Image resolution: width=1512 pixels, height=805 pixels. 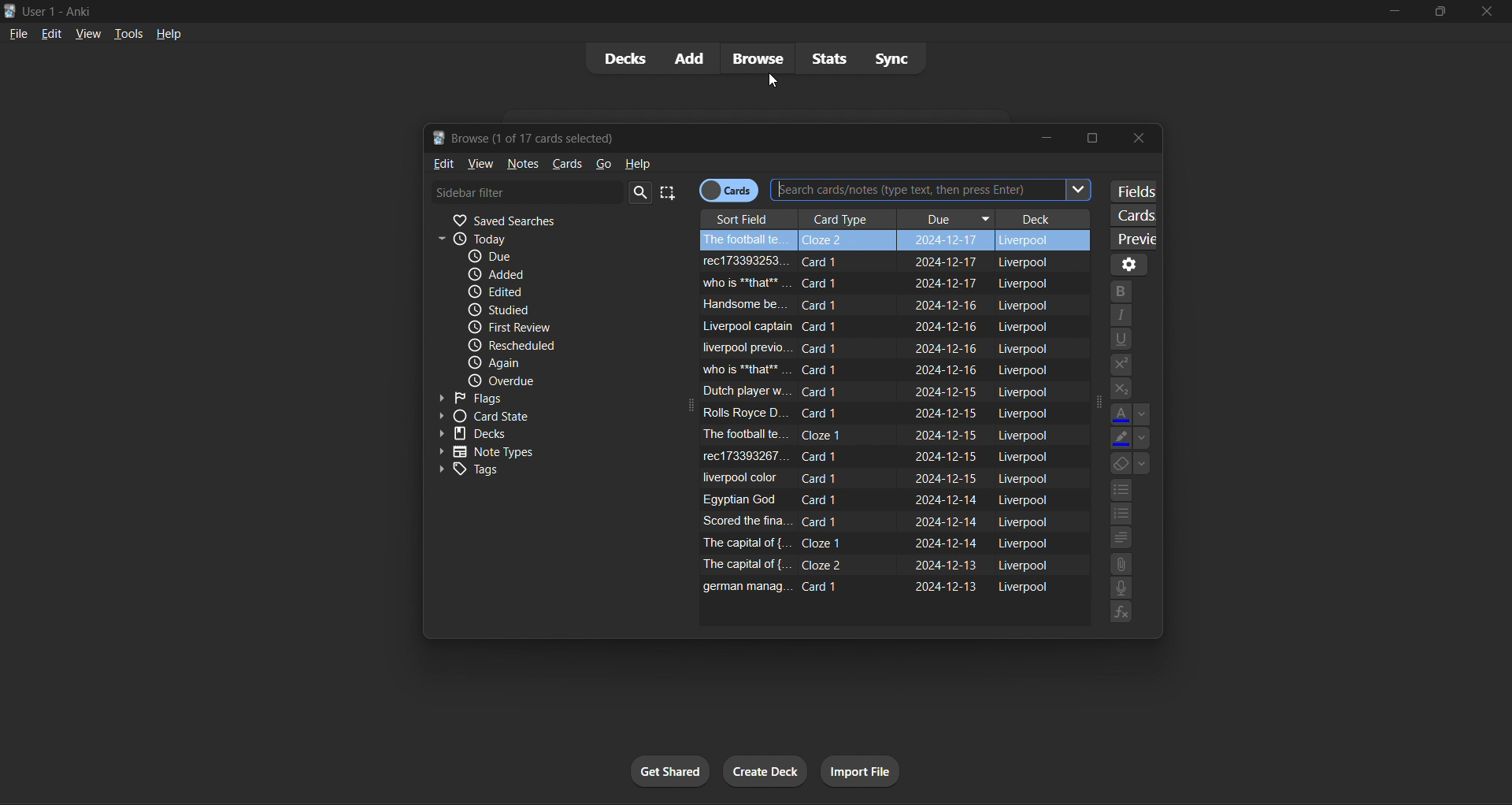 What do you see at coordinates (545, 380) in the screenshot?
I see `due` at bounding box center [545, 380].